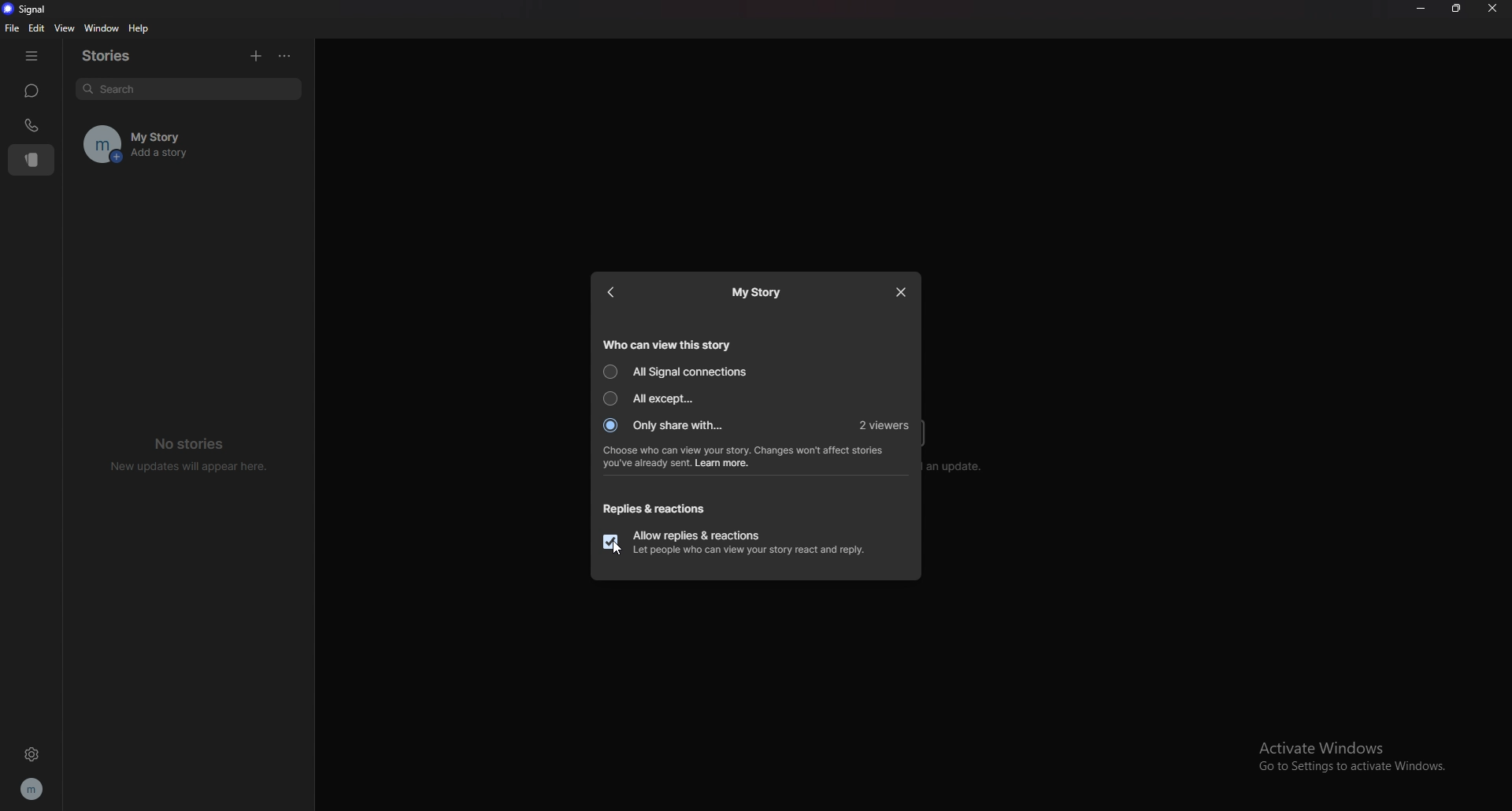  I want to click on my story, so click(210, 132).